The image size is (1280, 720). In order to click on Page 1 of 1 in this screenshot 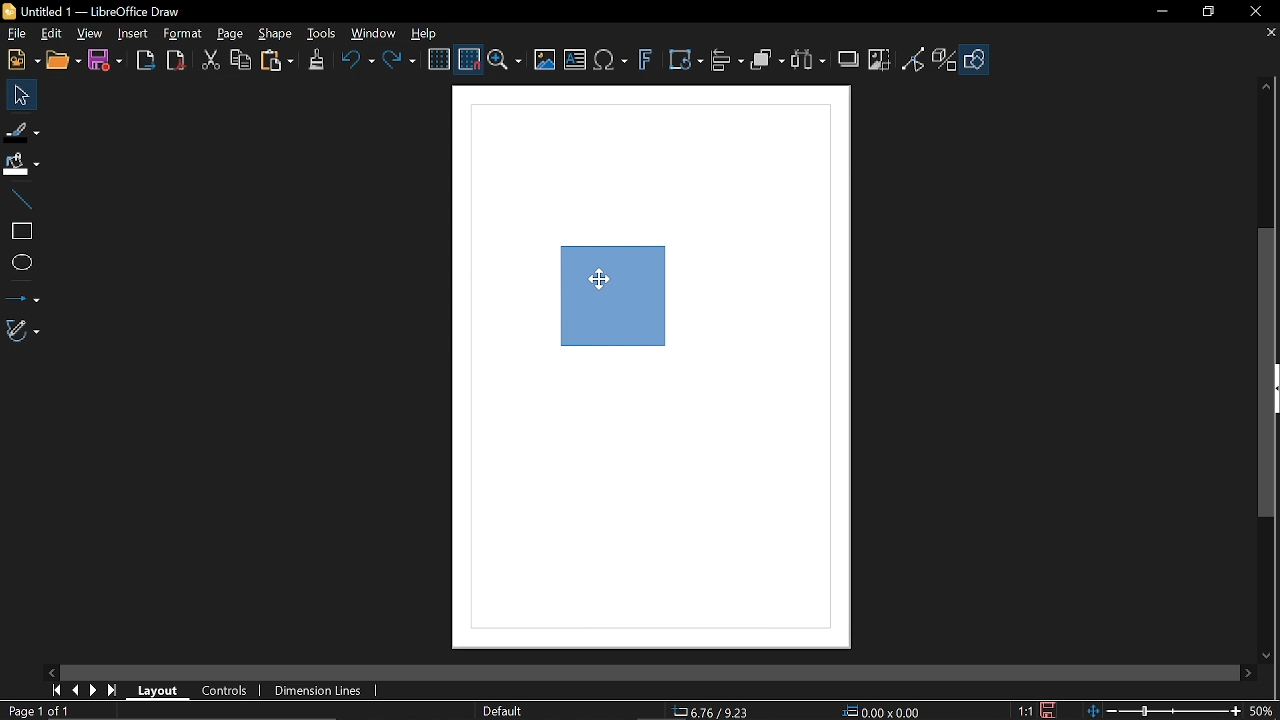, I will do `click(49, 711)`.